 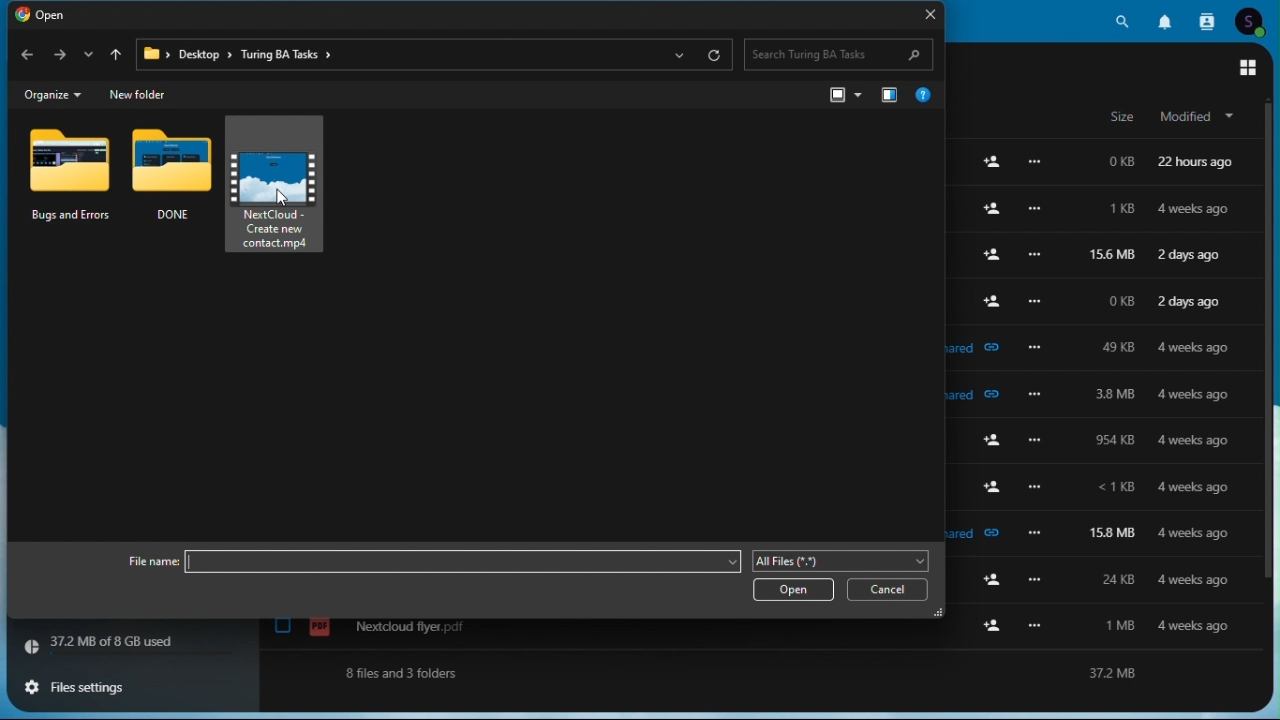 I want to click on 4 weeks ago, so click(x=1195, y=349).